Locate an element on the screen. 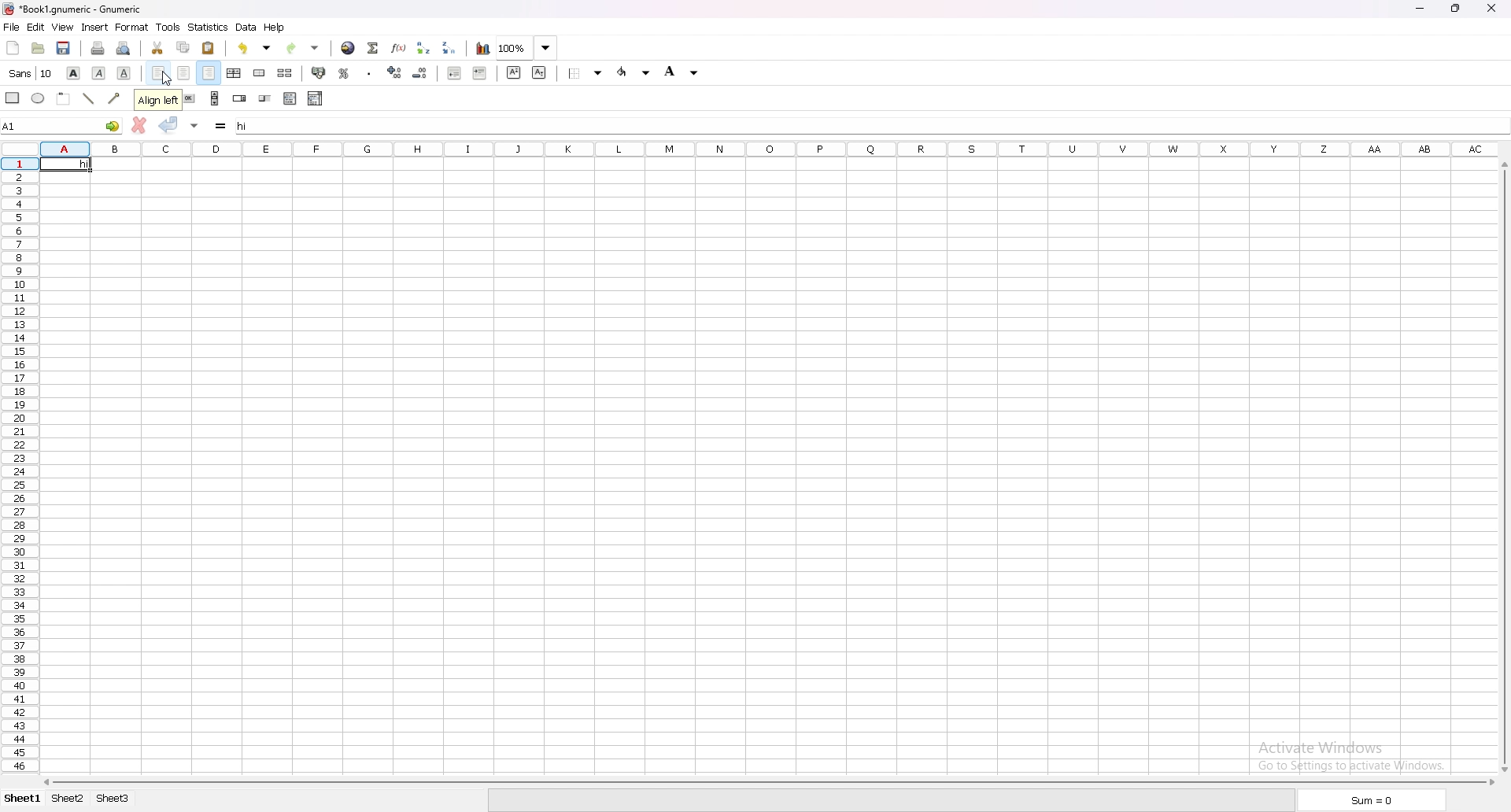 Image resolution: width=1511 pixels, height=812 pixels. open is located at coordinates (39, 49).